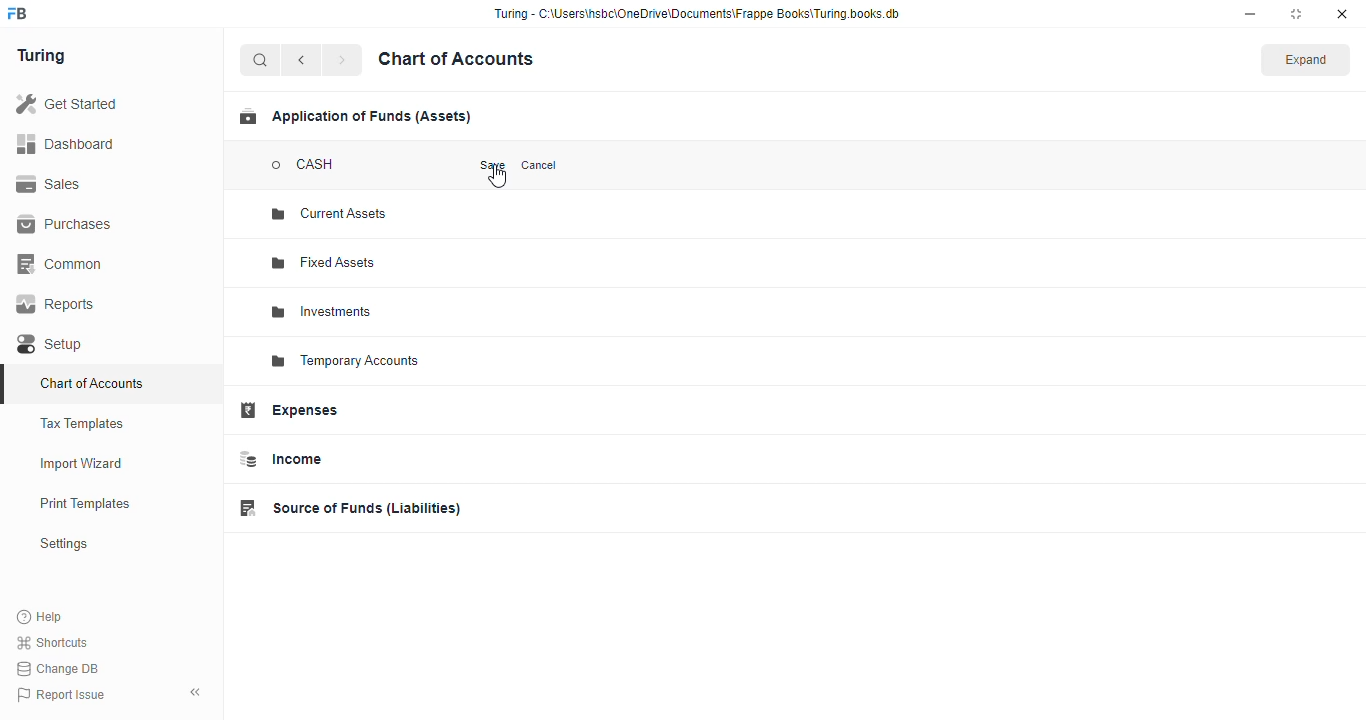 The width and height of the screenshot is (1366, 720). What do you see at coordinates (323, 312) in the screenshot?
I see `investments` at bounding box center [323, 312].